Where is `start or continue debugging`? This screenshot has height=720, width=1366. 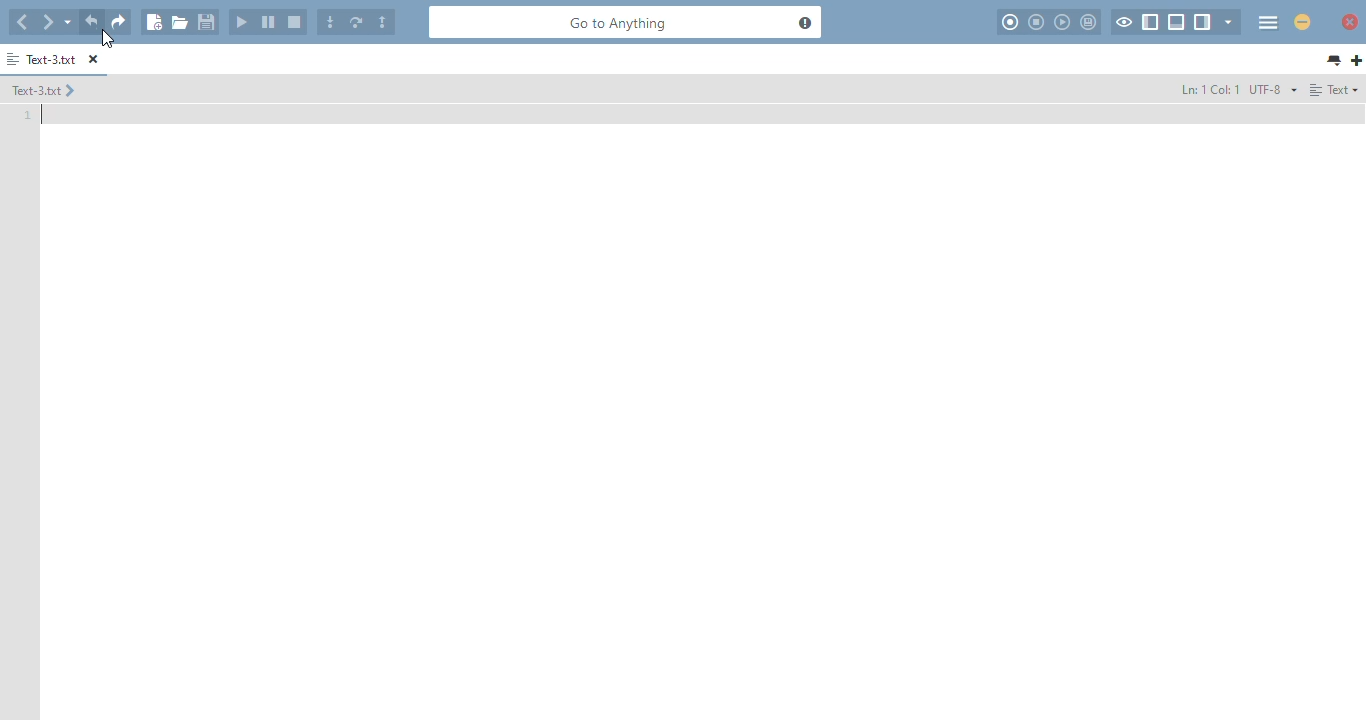 start or continue debugging is located at coordinates (242, 21).